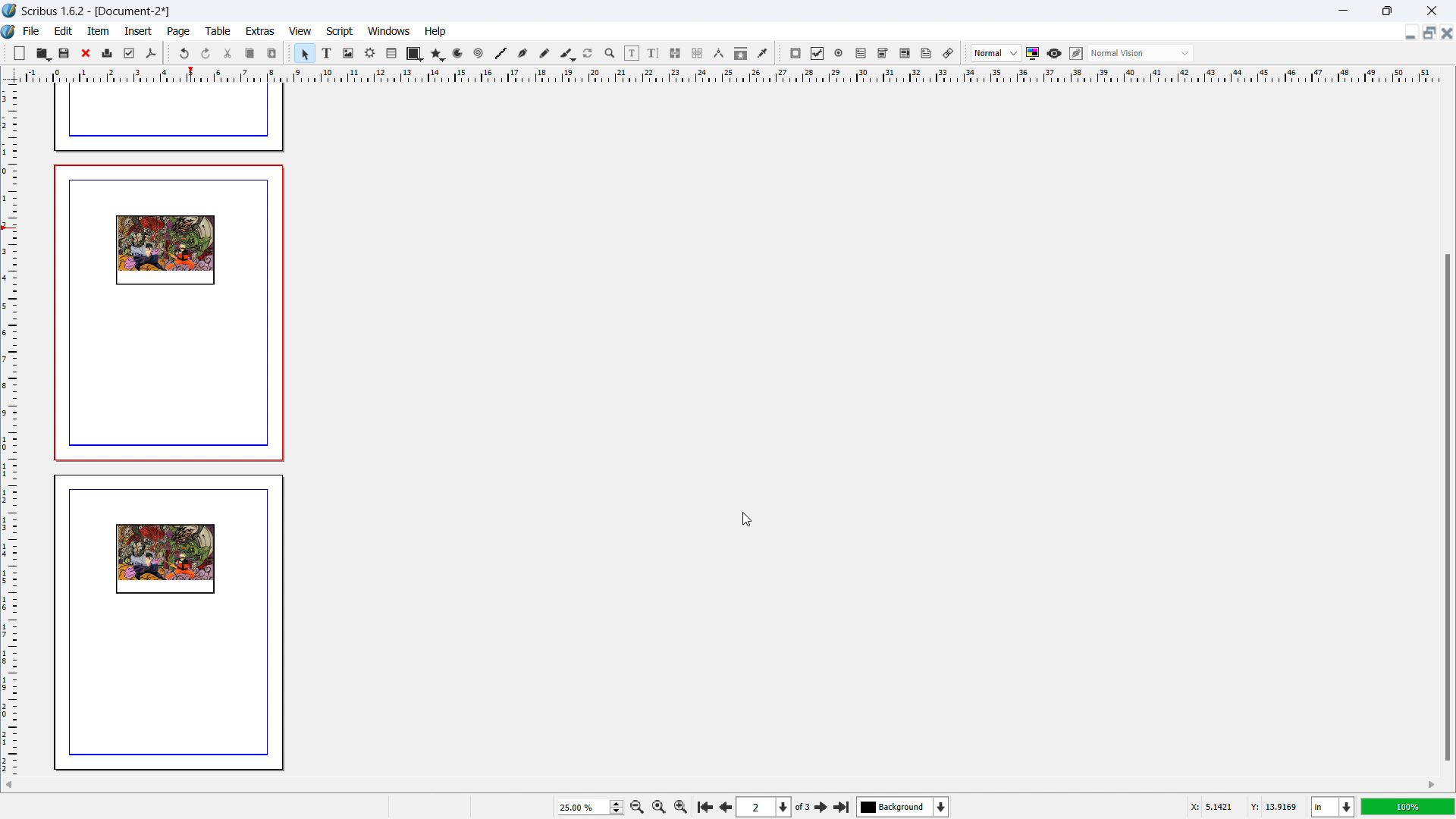  What do you see at coordinates (590, 807) in the screenshot?
I see `zoom level` at bounding box center [590, 807].